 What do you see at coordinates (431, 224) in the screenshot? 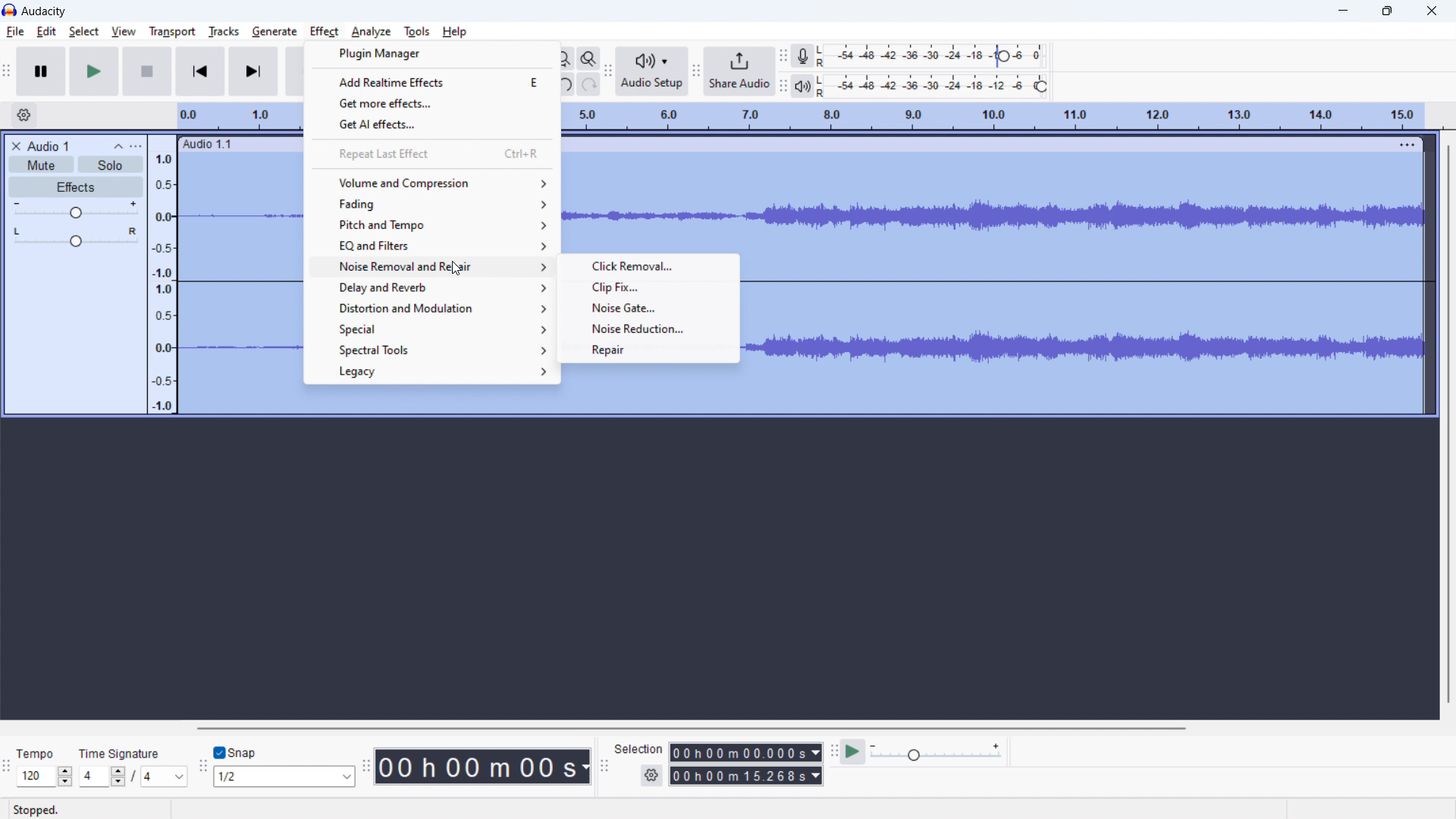
I see `pitch and tempo` at bounding box center [431, 224].